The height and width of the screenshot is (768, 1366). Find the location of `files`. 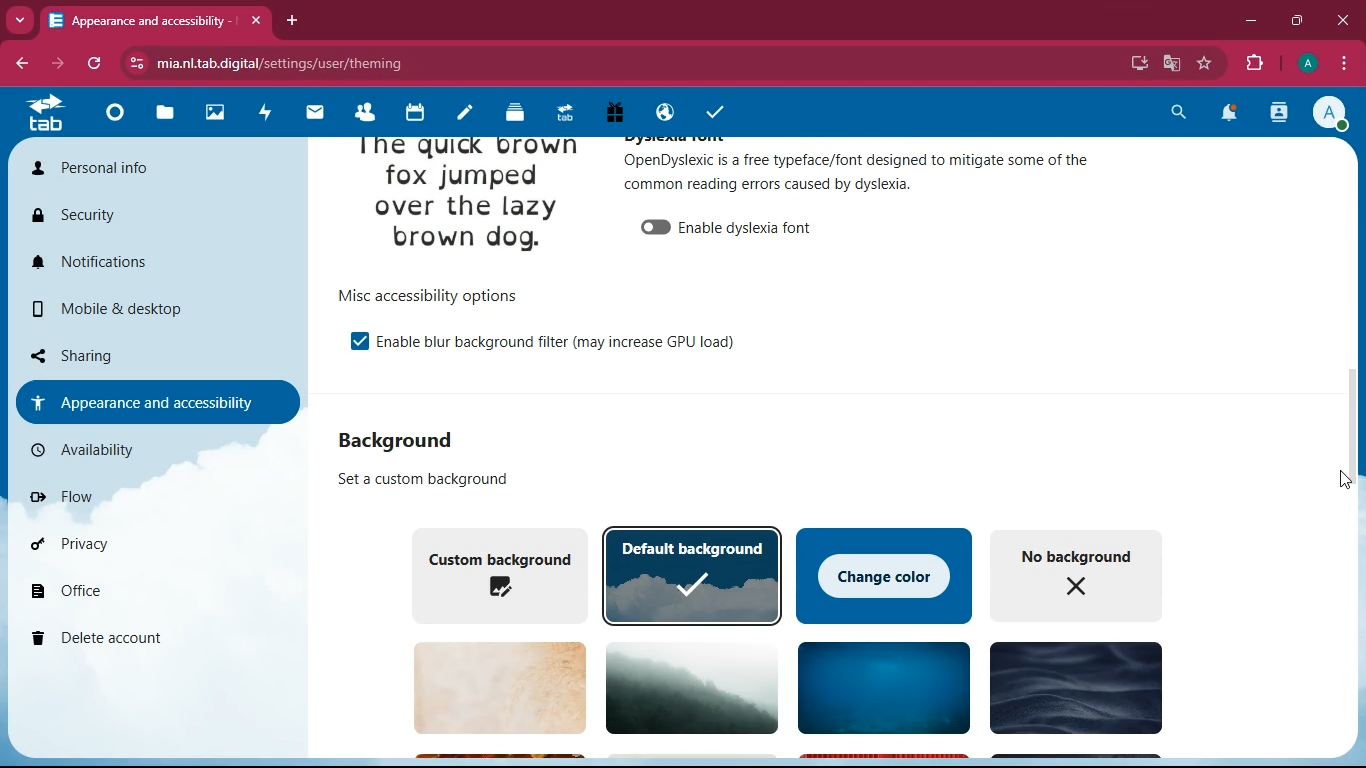

files is located at coordinates (160, 115).